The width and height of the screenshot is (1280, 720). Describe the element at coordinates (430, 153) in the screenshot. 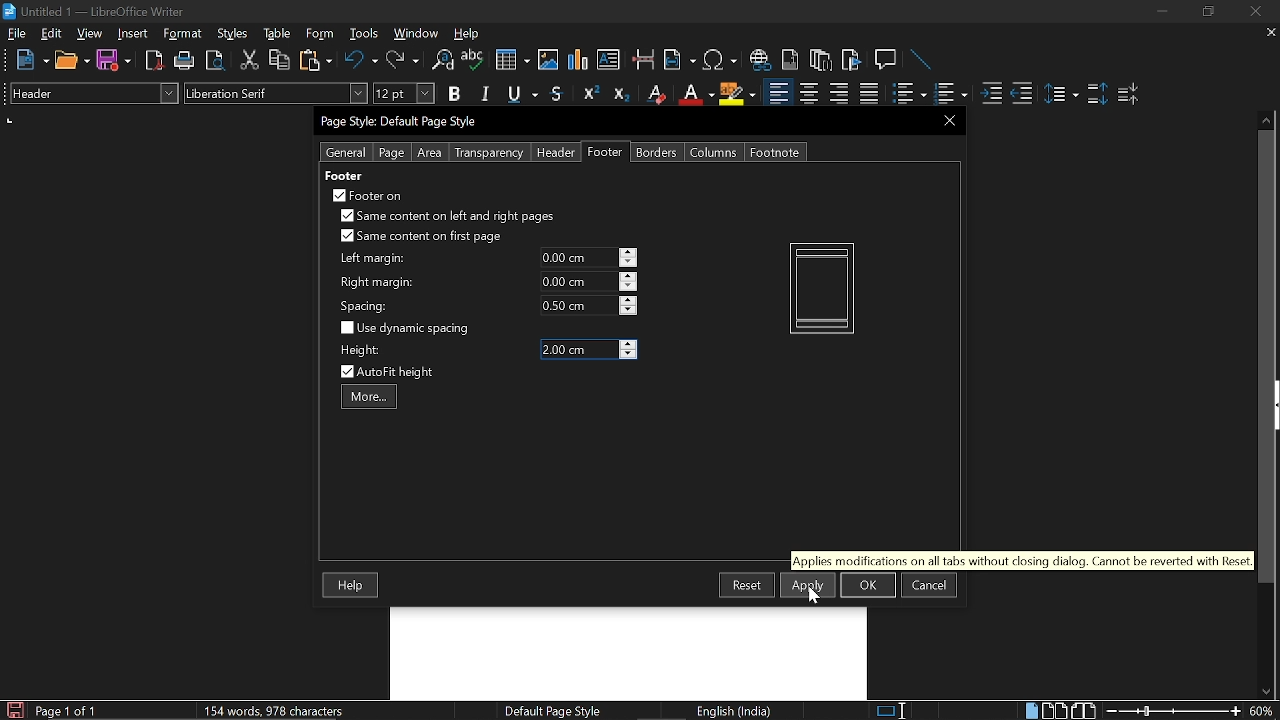

I see `Area` at that location.